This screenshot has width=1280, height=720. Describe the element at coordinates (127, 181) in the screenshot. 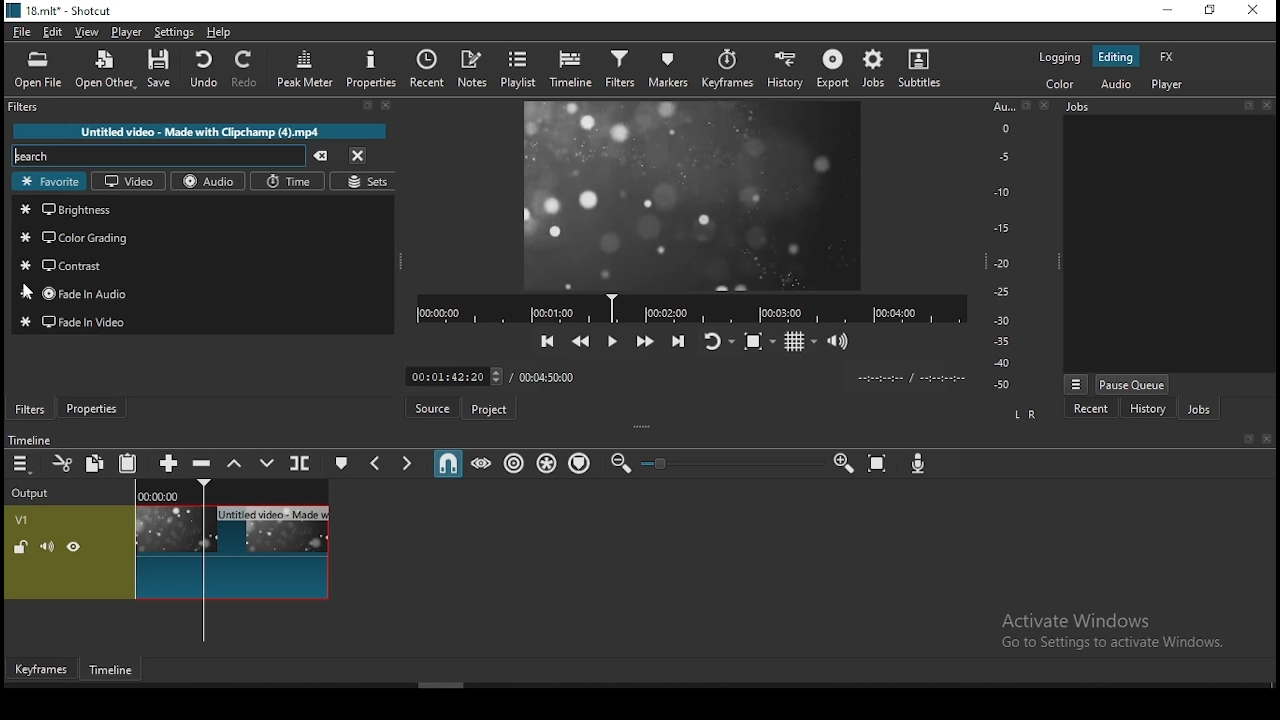

I see `video` at that location.